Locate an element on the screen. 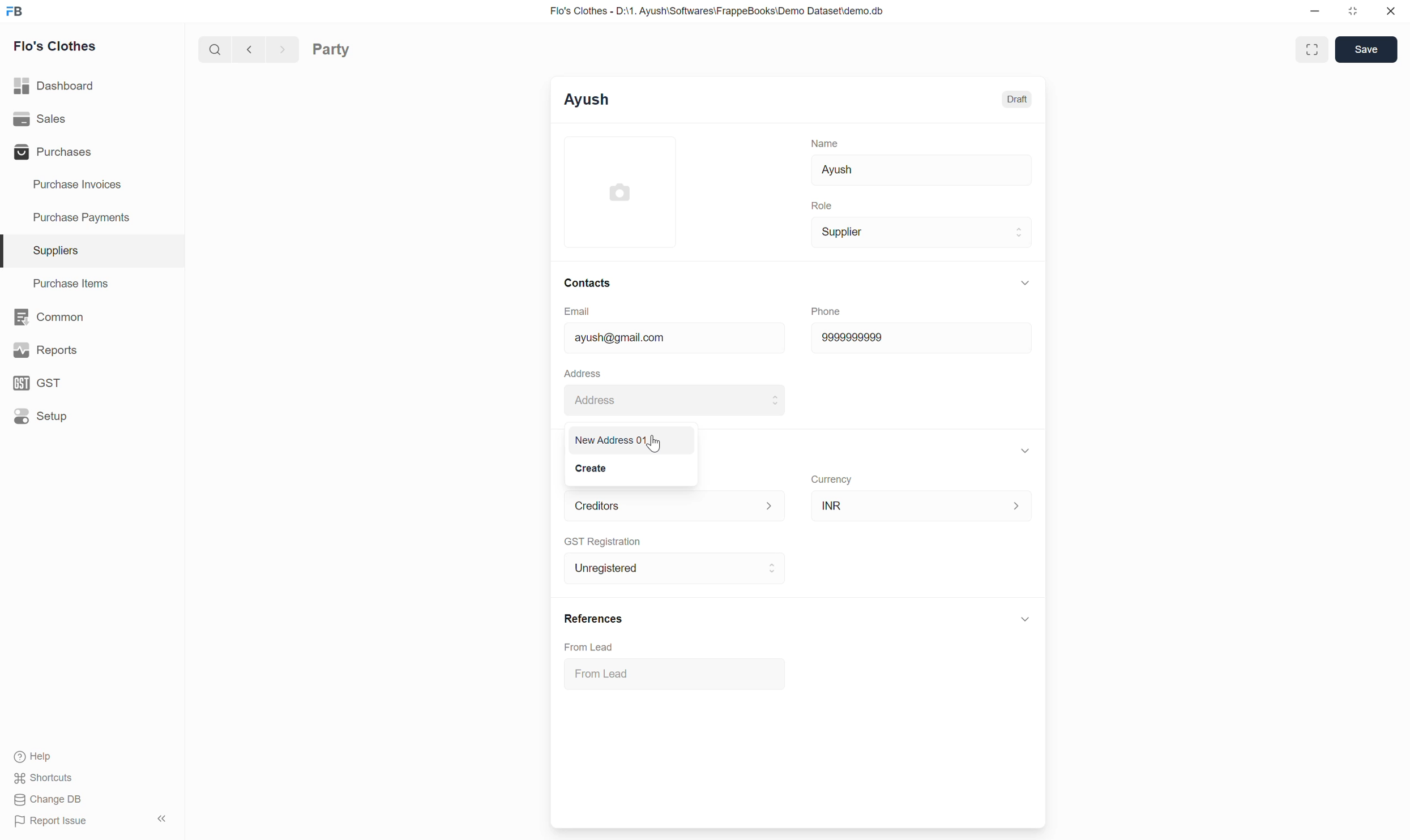  New Address 01  is located at coordinates (627, 439).